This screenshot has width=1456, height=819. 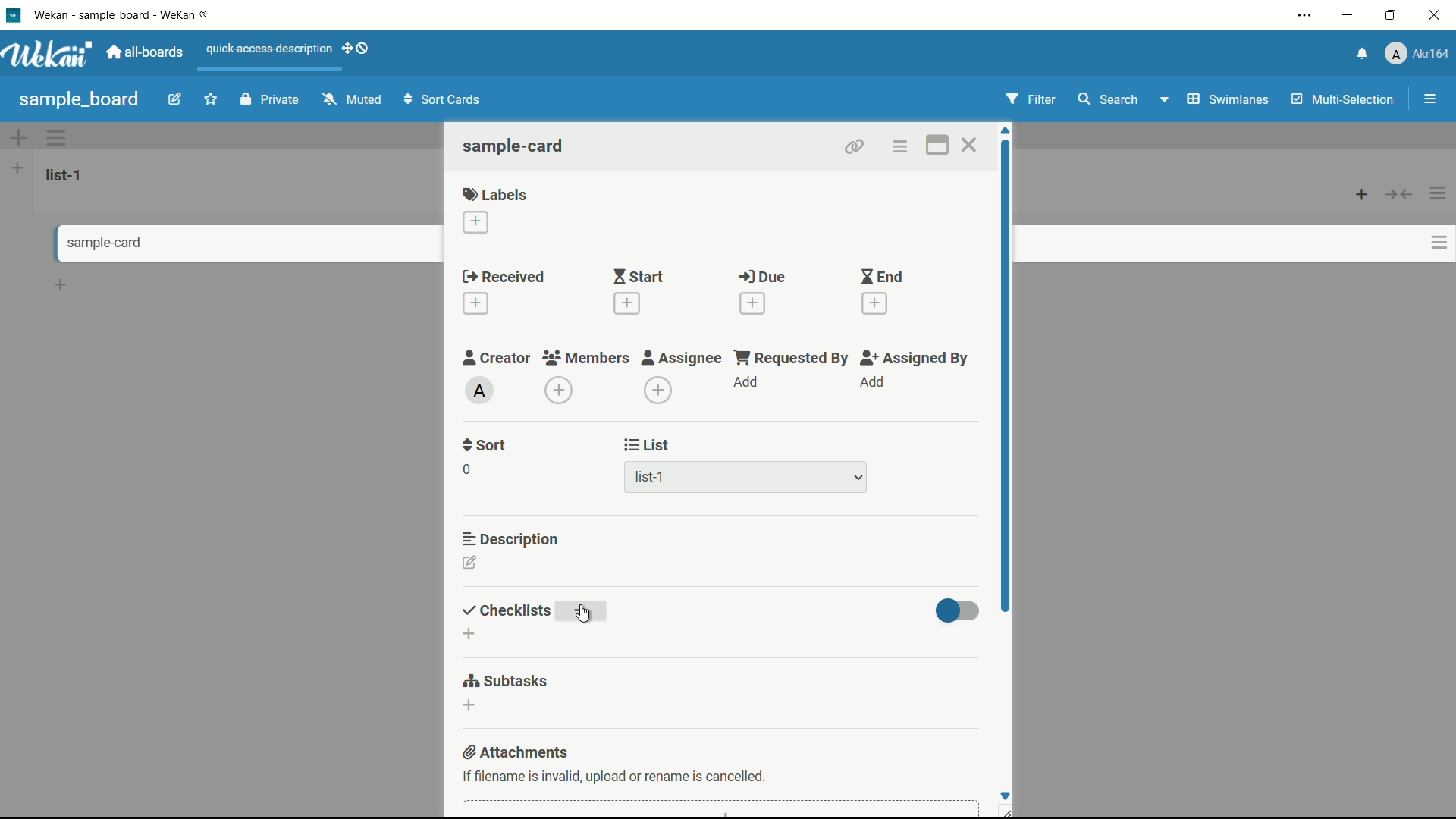 I want to click on swimlanes, so click(x=1226, y=99).